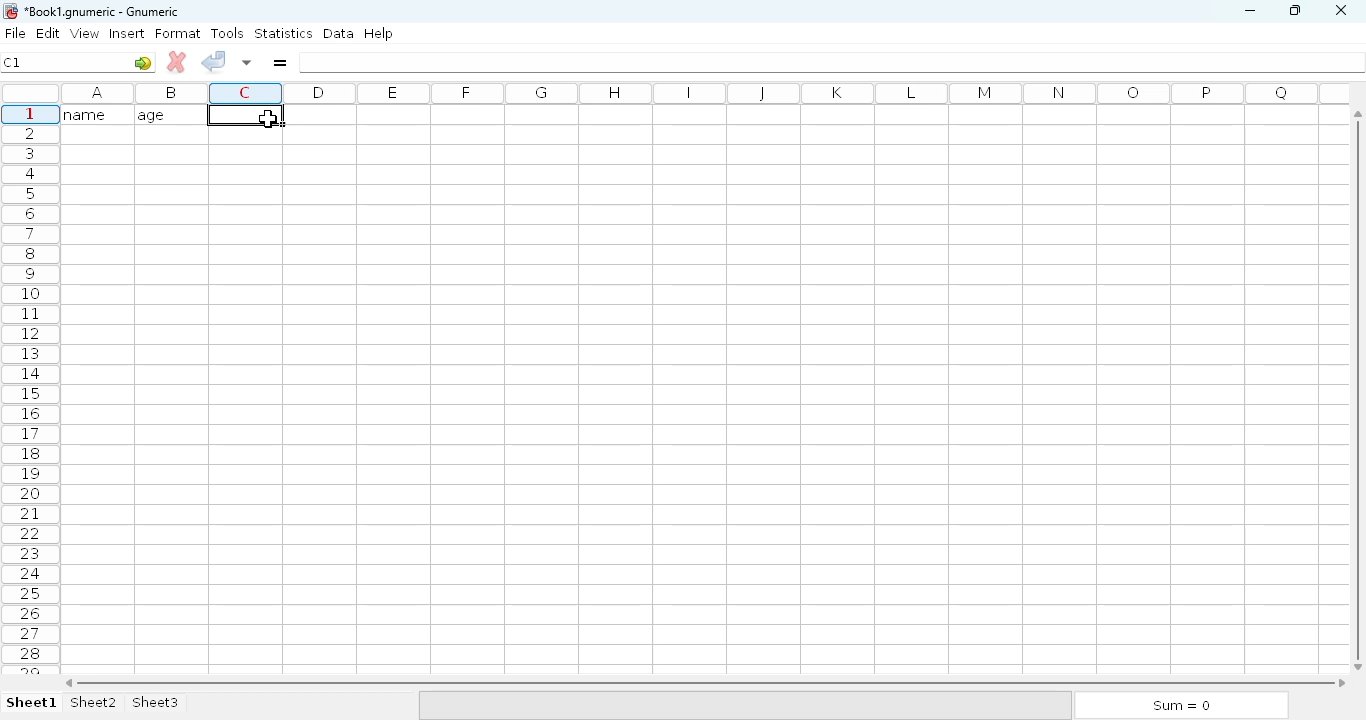  What do you see at coordinates (1179, 706) in the screenshot?
I see `sum = 0` at bounding box center [1179, 706].